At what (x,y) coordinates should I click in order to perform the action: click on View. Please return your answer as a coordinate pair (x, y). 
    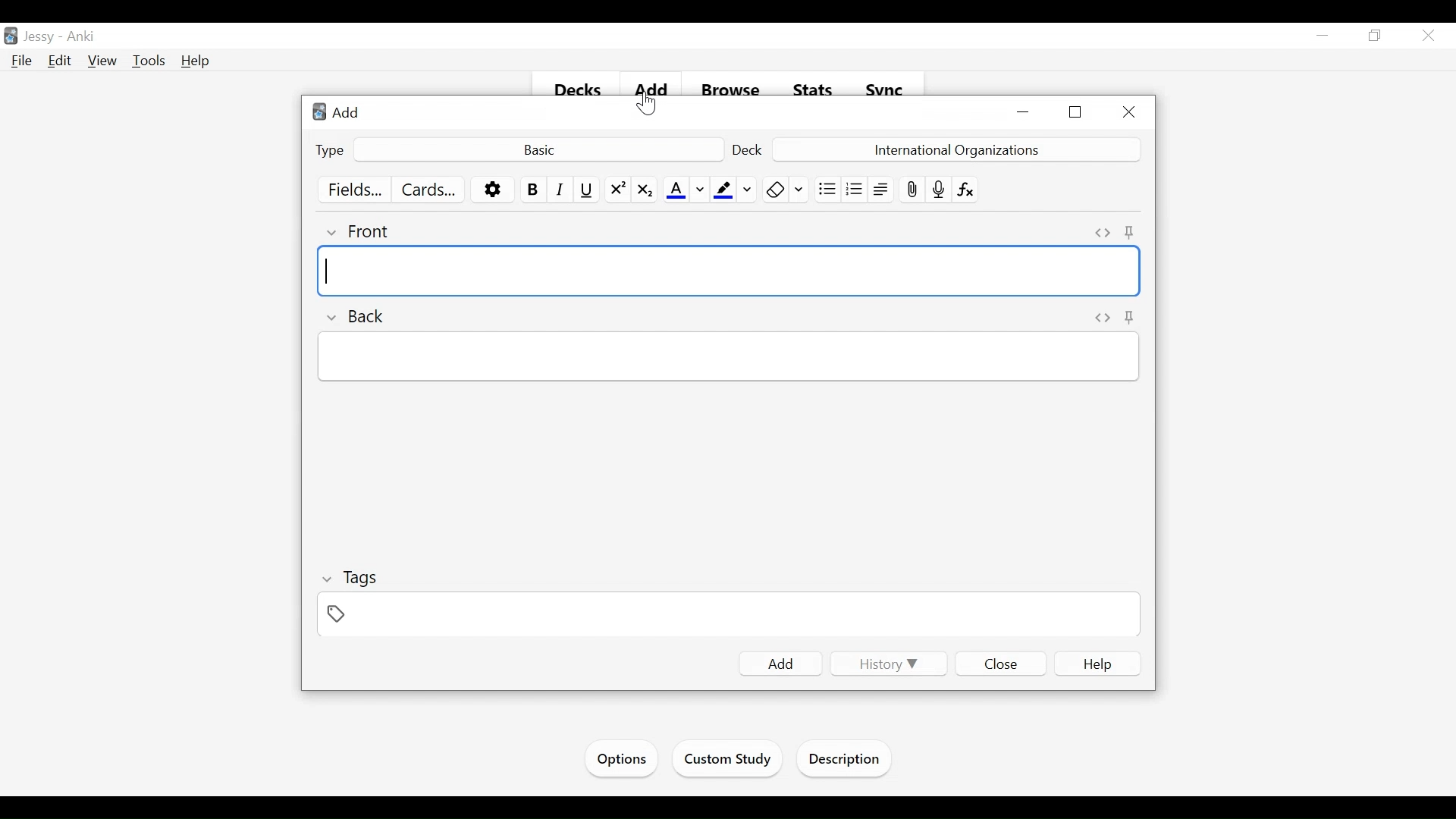
    Looking at the image, I should click on (102, 60).